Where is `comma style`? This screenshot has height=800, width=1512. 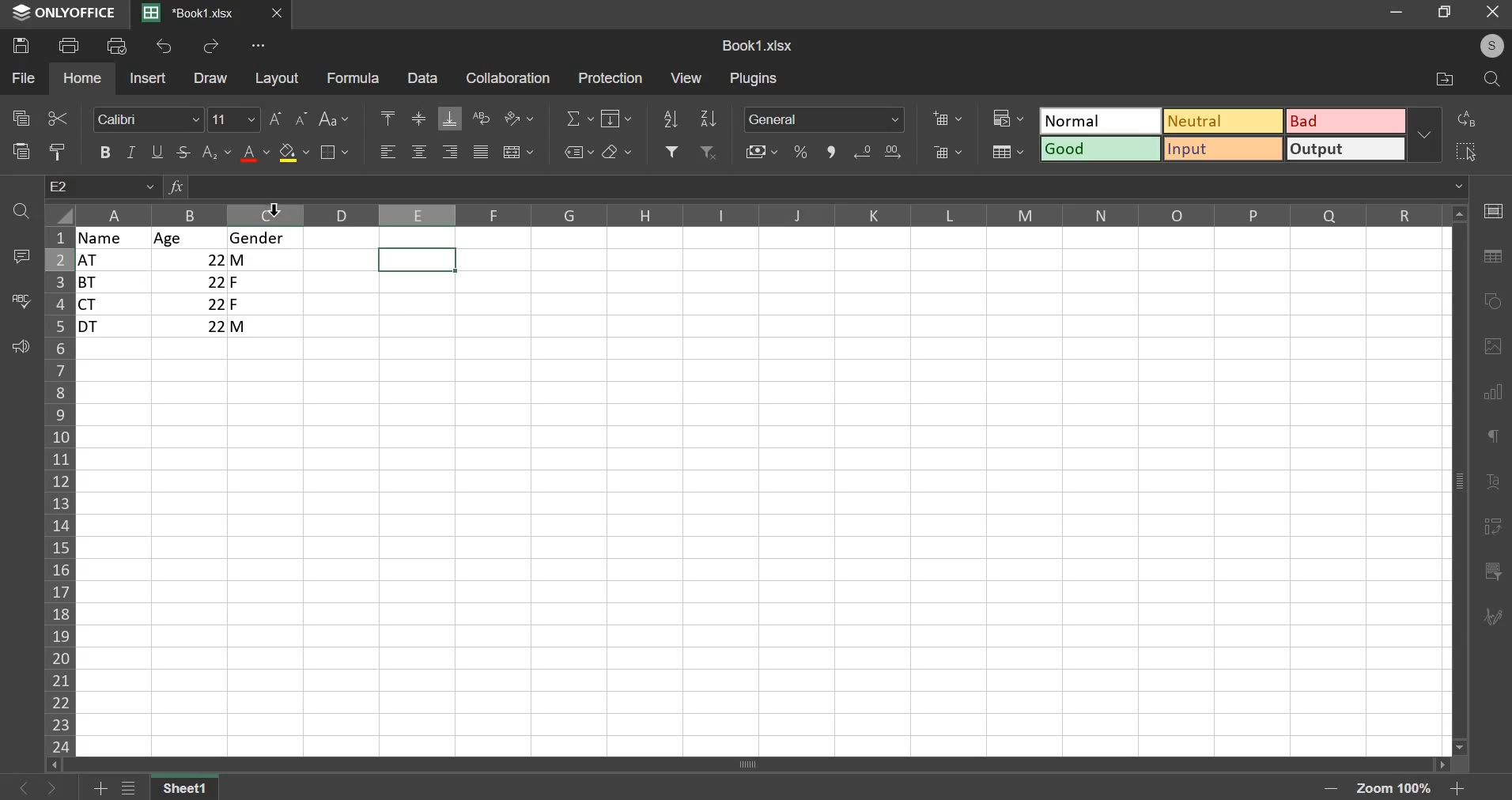 comma style is located at coordinates (832, 153).